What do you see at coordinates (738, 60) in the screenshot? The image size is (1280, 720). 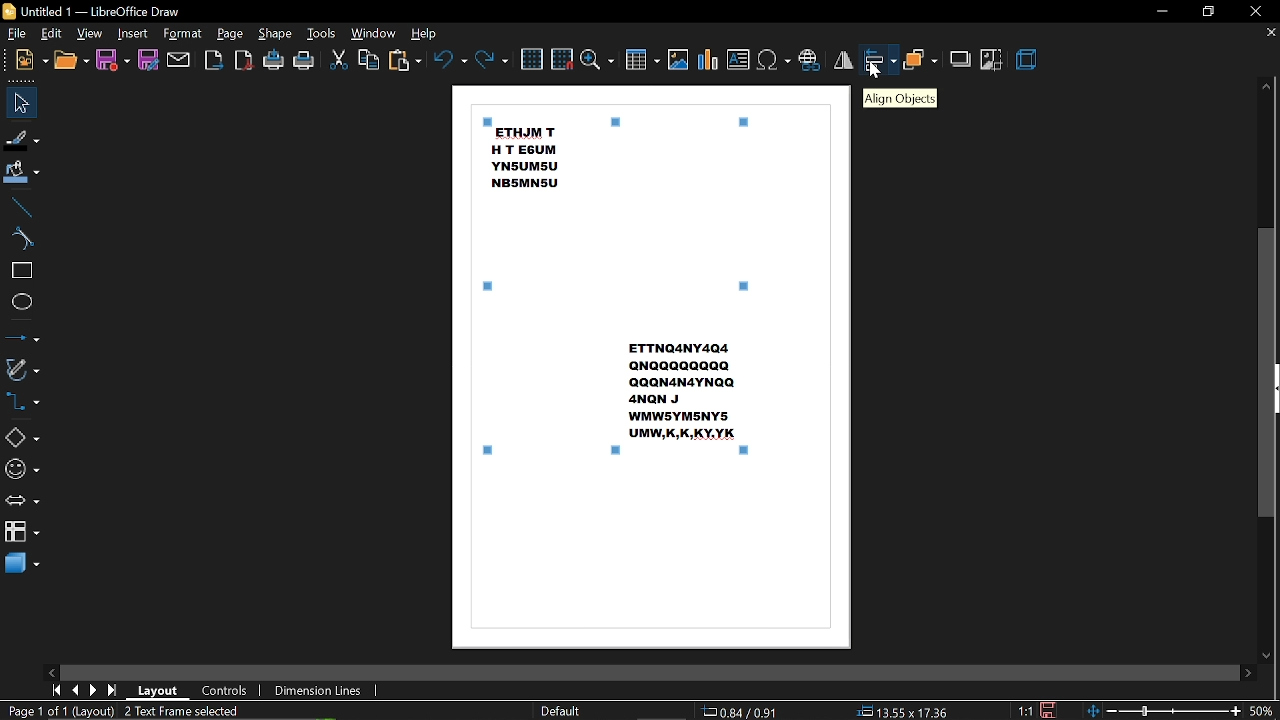 I see `insert text` at bounding box center [738, 60].